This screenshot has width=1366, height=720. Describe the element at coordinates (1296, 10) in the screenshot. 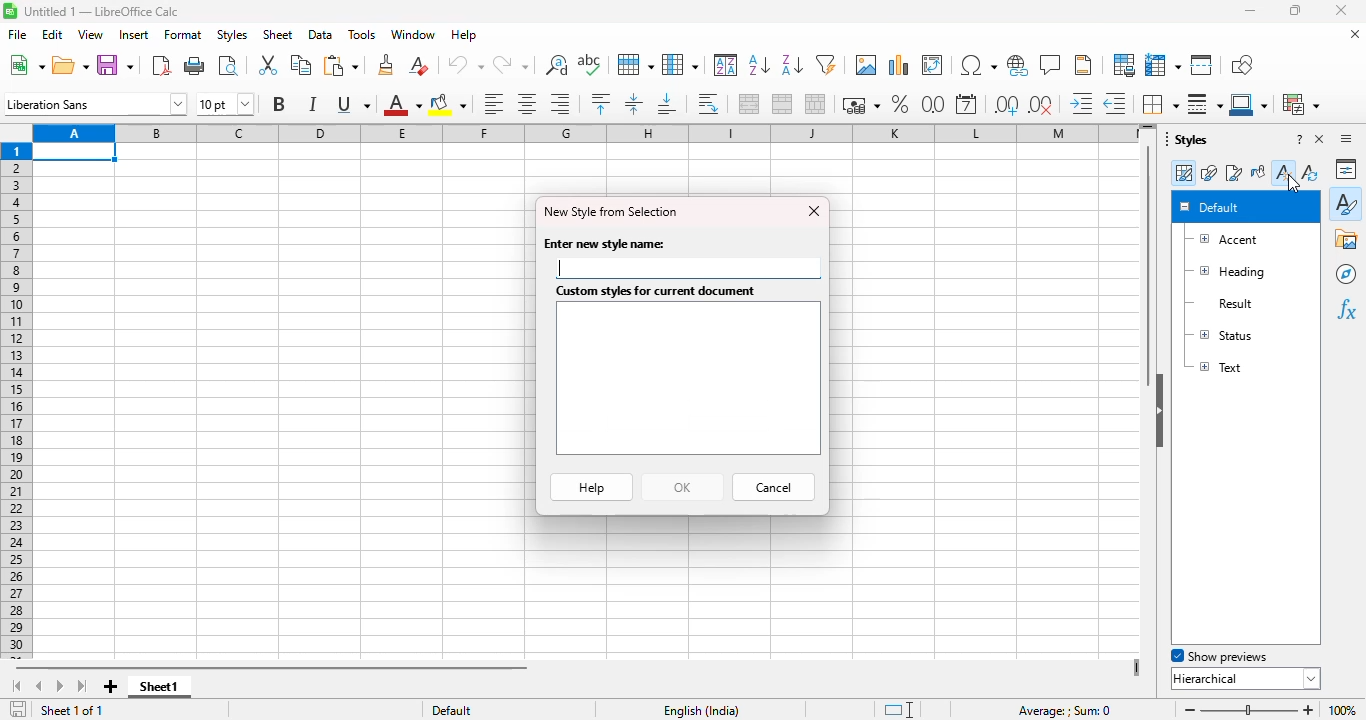

I see `maximize` at that location.